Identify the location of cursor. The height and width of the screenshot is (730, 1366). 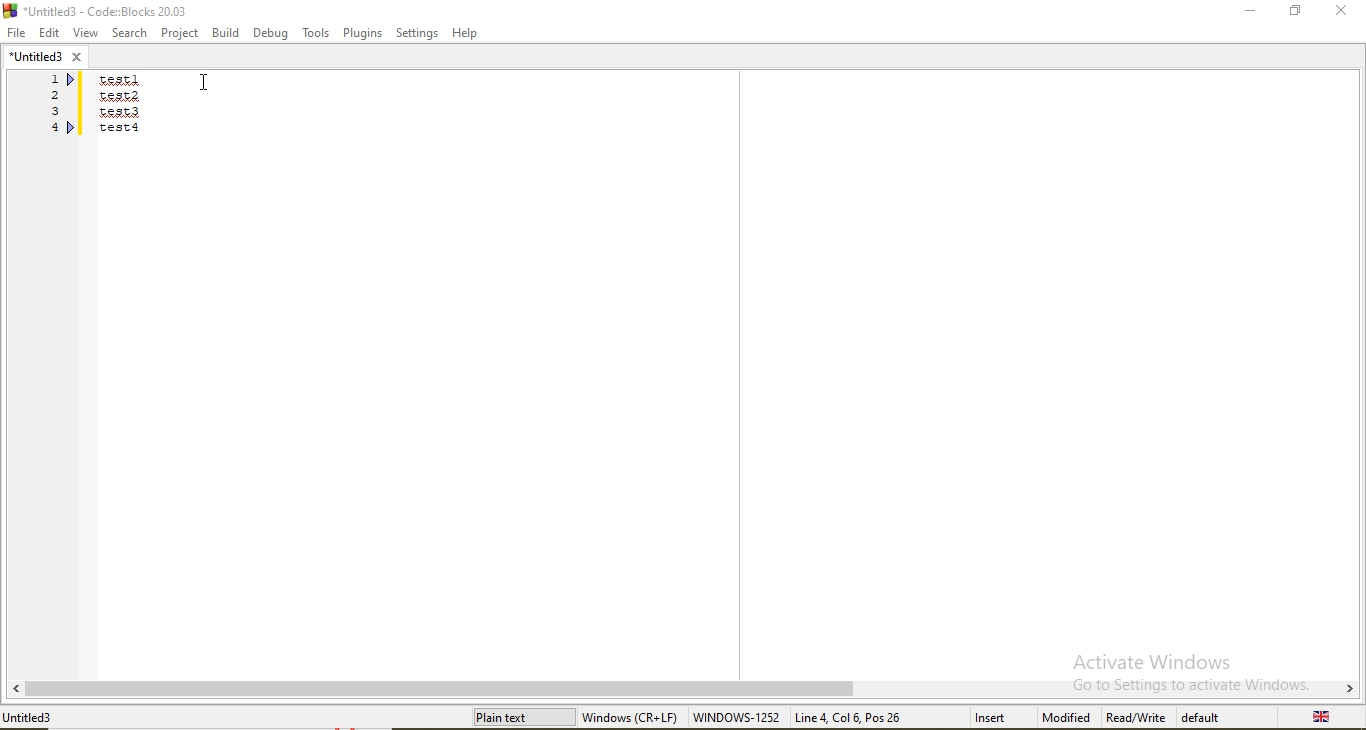
(203, 83).